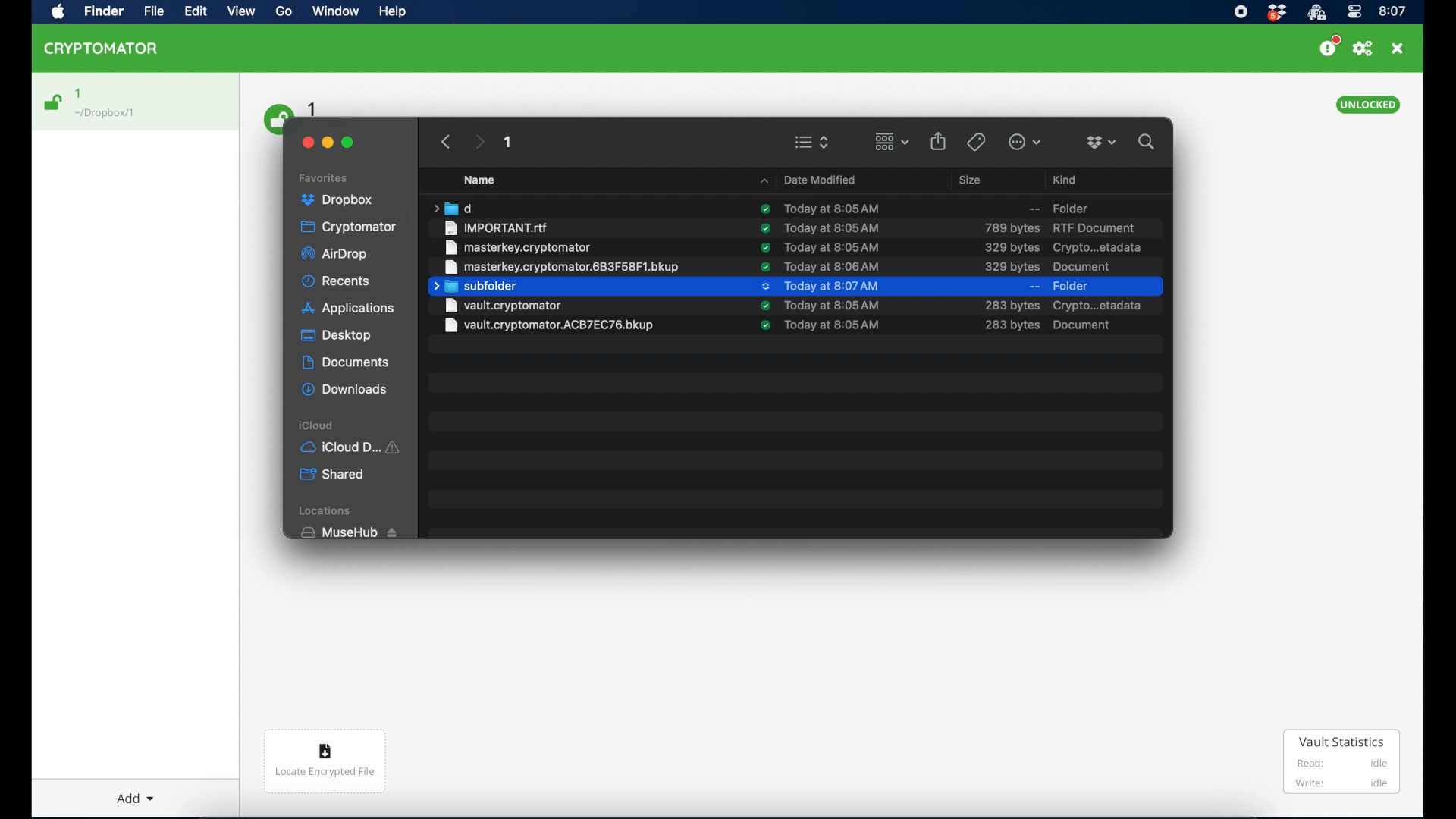 The image size is (1456, 819). What do you see at coordinates (765, 227) in the screenshot?
I see `sync` at bounding box center [765, 227].